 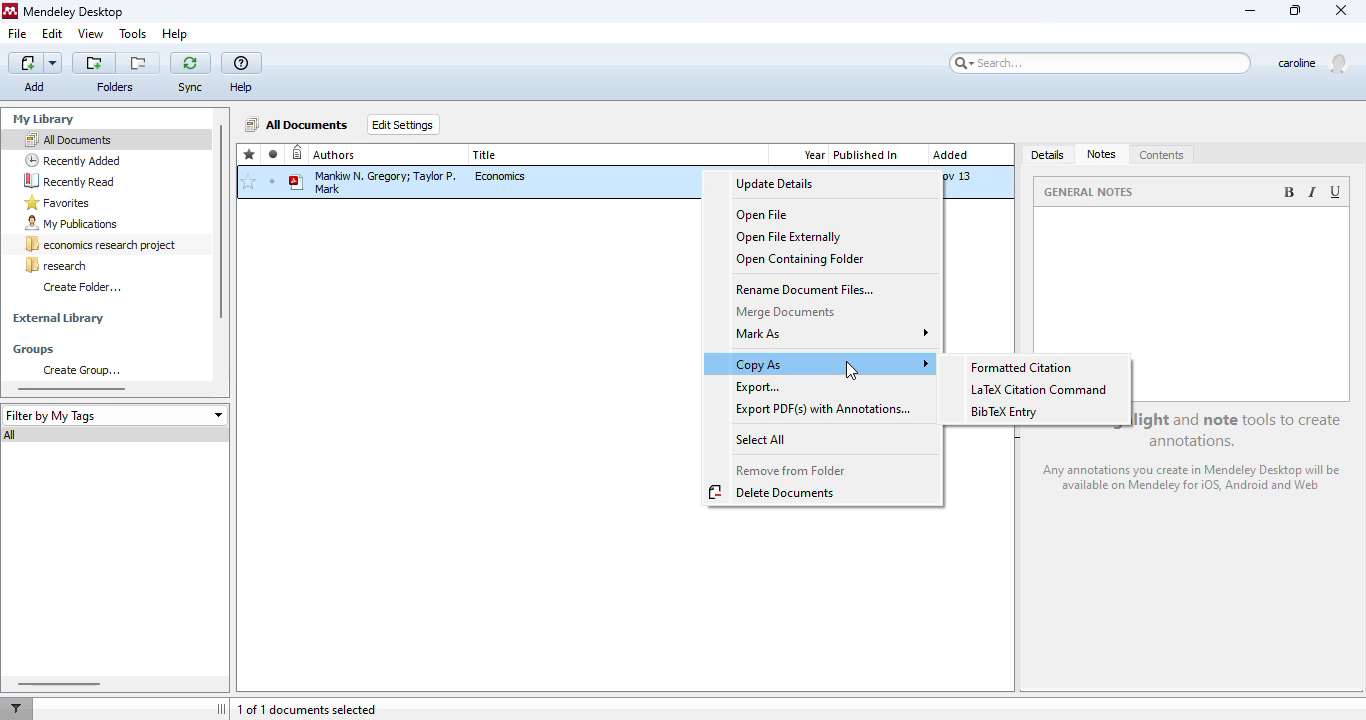 What do you see at coordinates (12, 435) in the screenshot?
I see `all` at bounding box center [12, 435].